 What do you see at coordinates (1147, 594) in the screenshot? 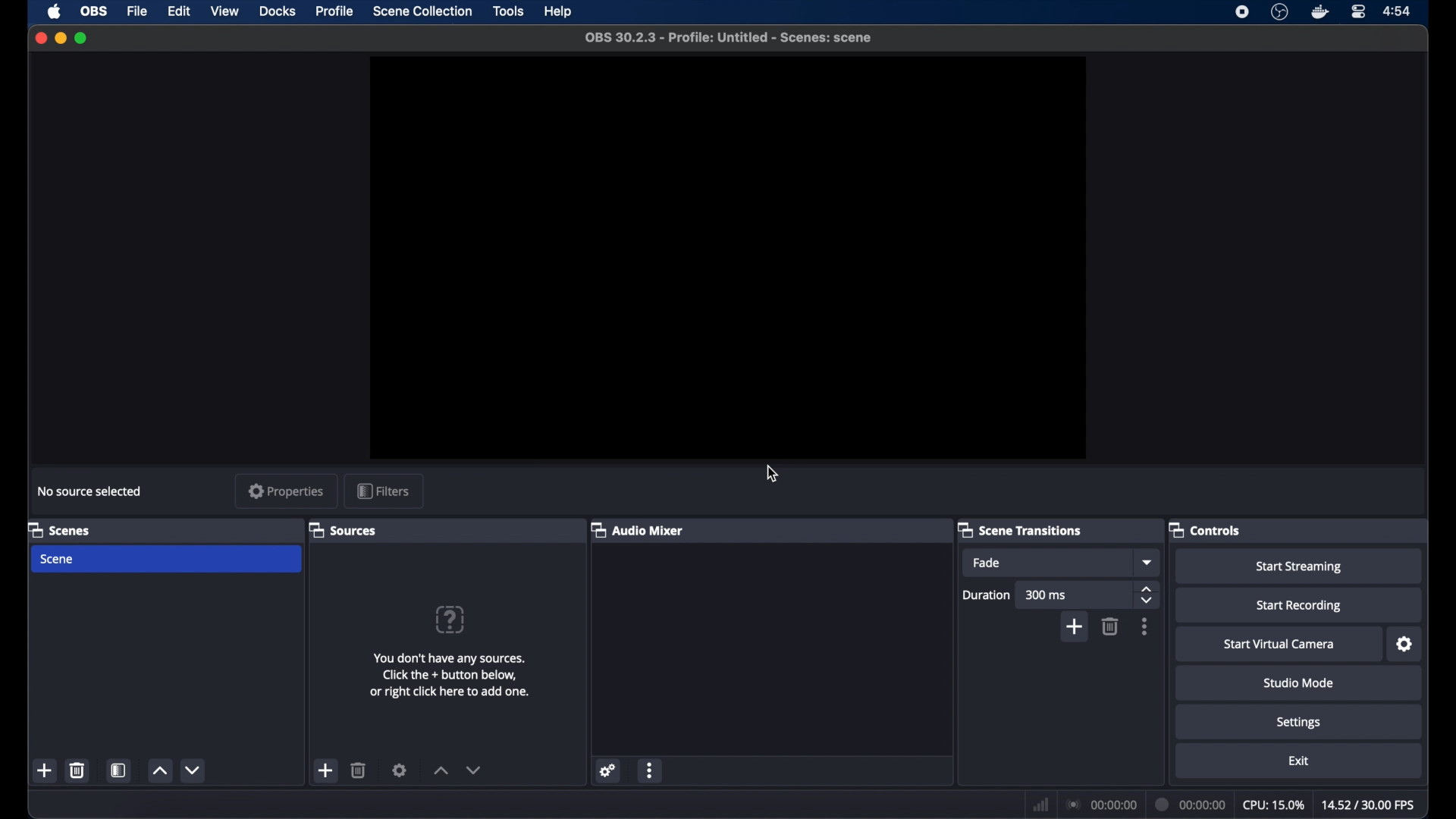
I see `stepper button` at bounding box center [1147, 594].